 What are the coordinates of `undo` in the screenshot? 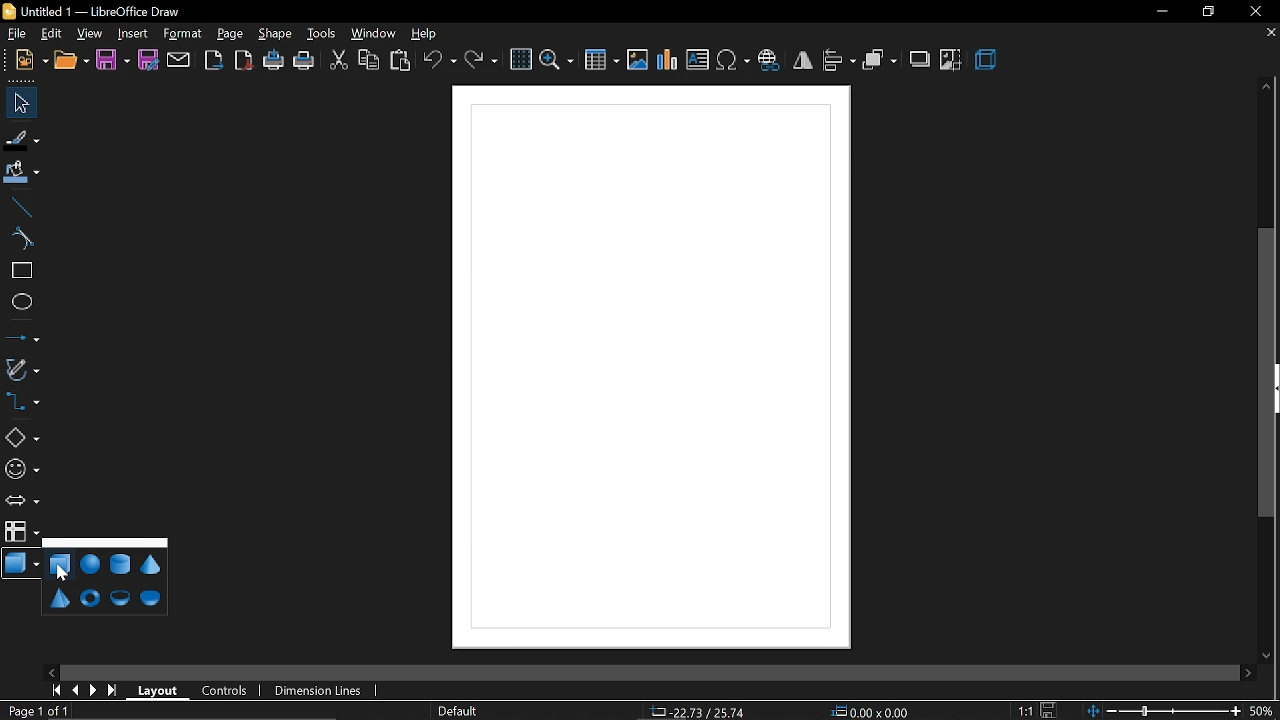 It's located at (440, 62).